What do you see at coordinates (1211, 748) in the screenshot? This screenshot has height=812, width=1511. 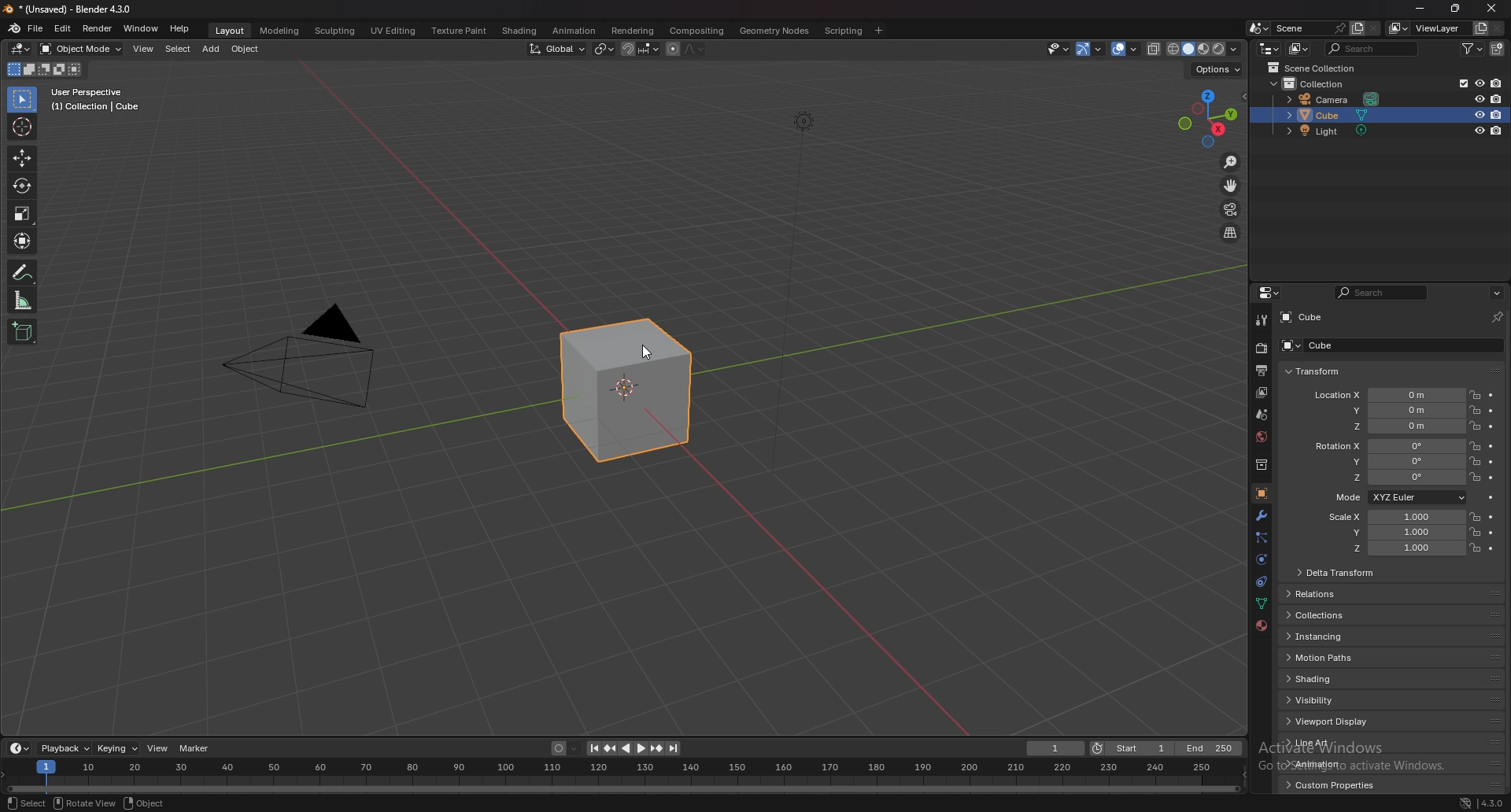 I see `end` at bounding box center [1211, 748].